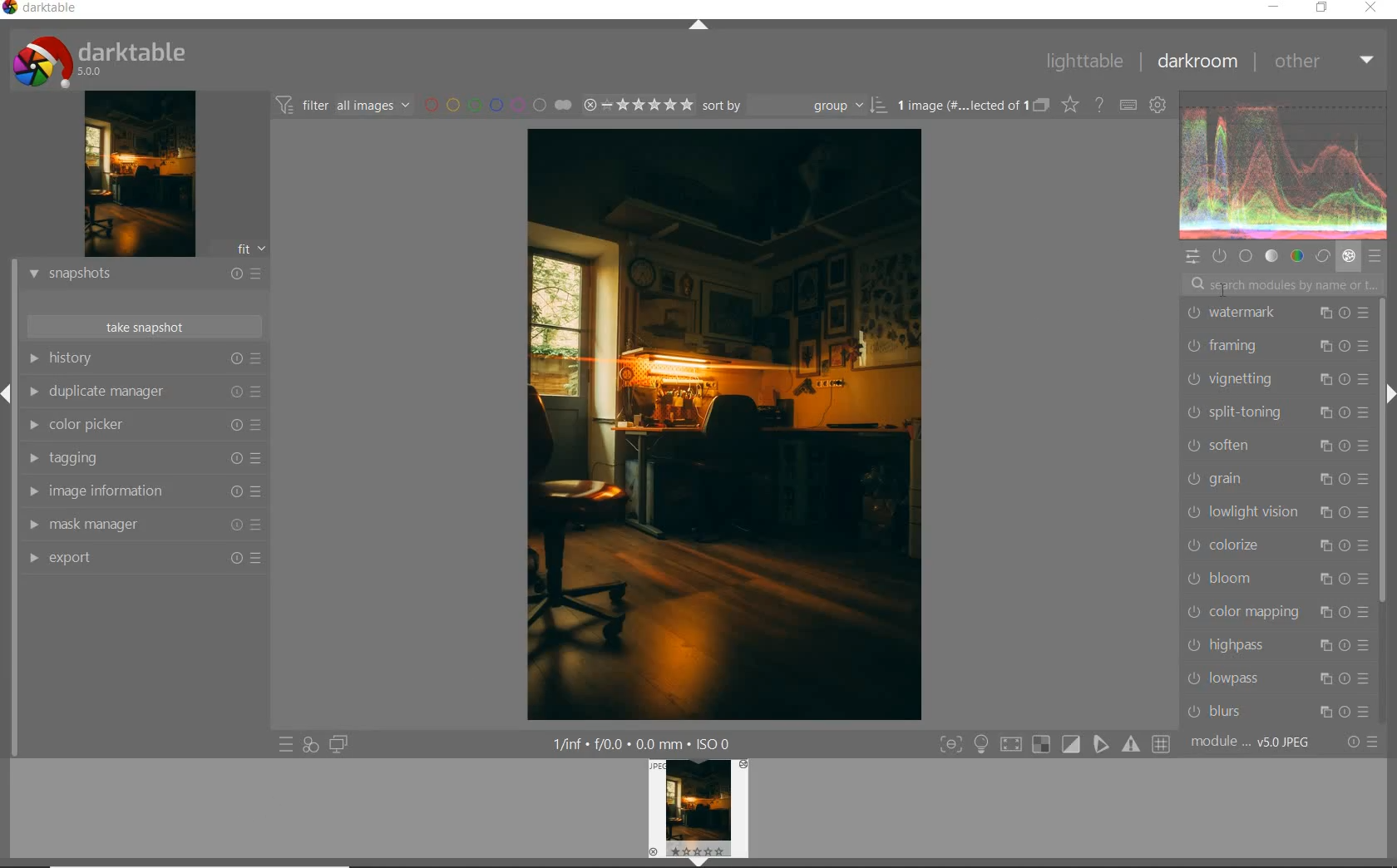 This screenshot has width=1397, height=868. I want to click on module, so click(1255, 743).